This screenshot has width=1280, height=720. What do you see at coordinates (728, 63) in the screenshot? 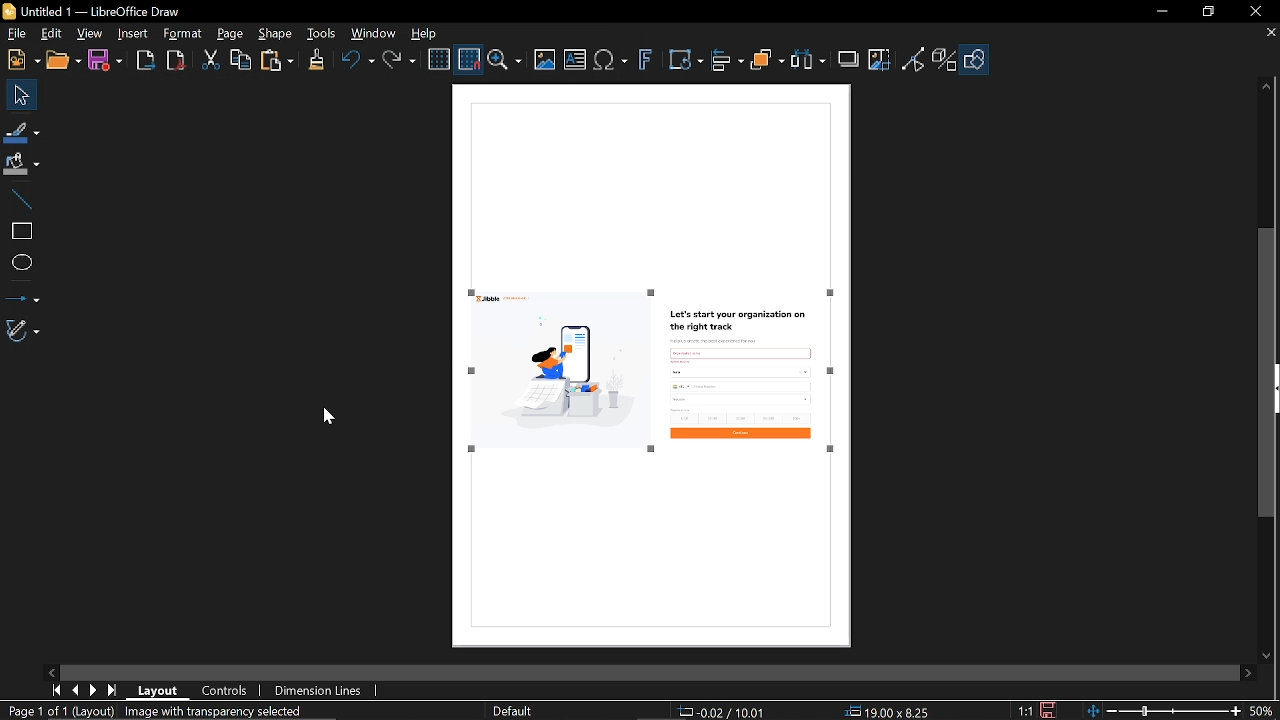
I see `Align` at bounding box center [728, 63].